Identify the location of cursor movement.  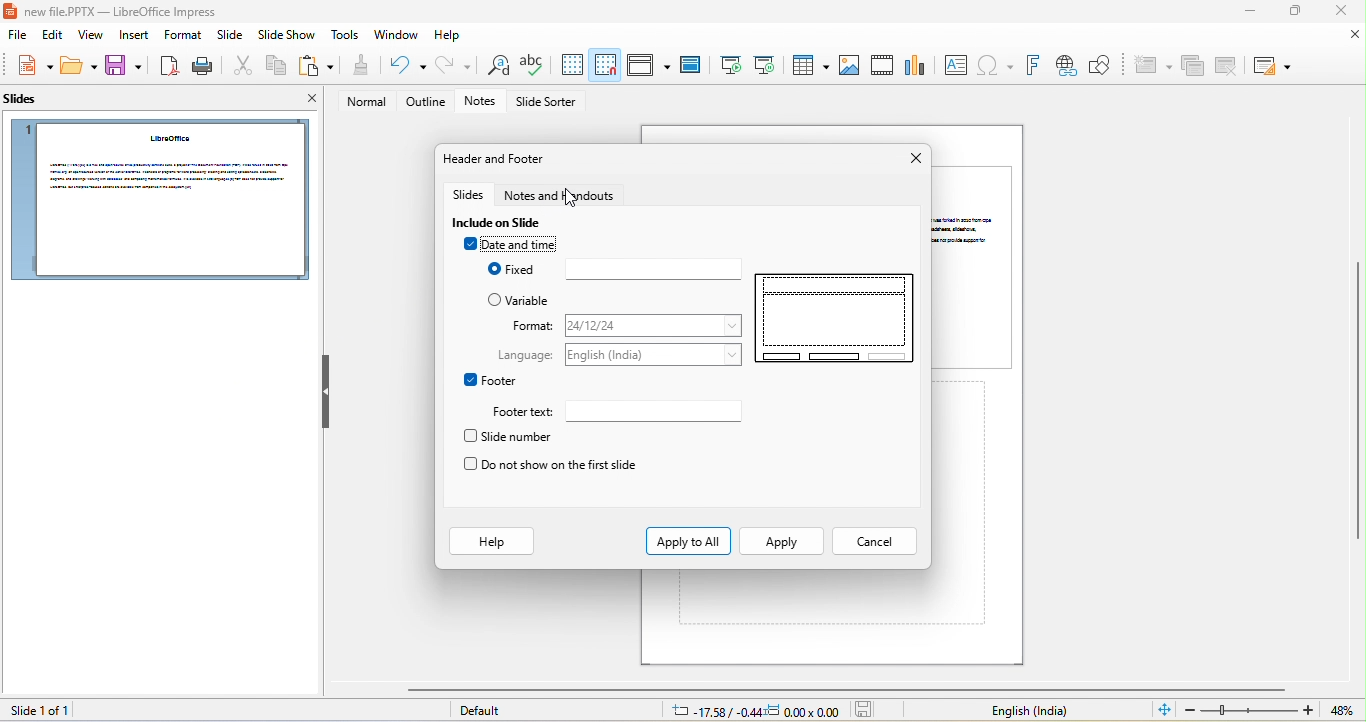
(574, 201).